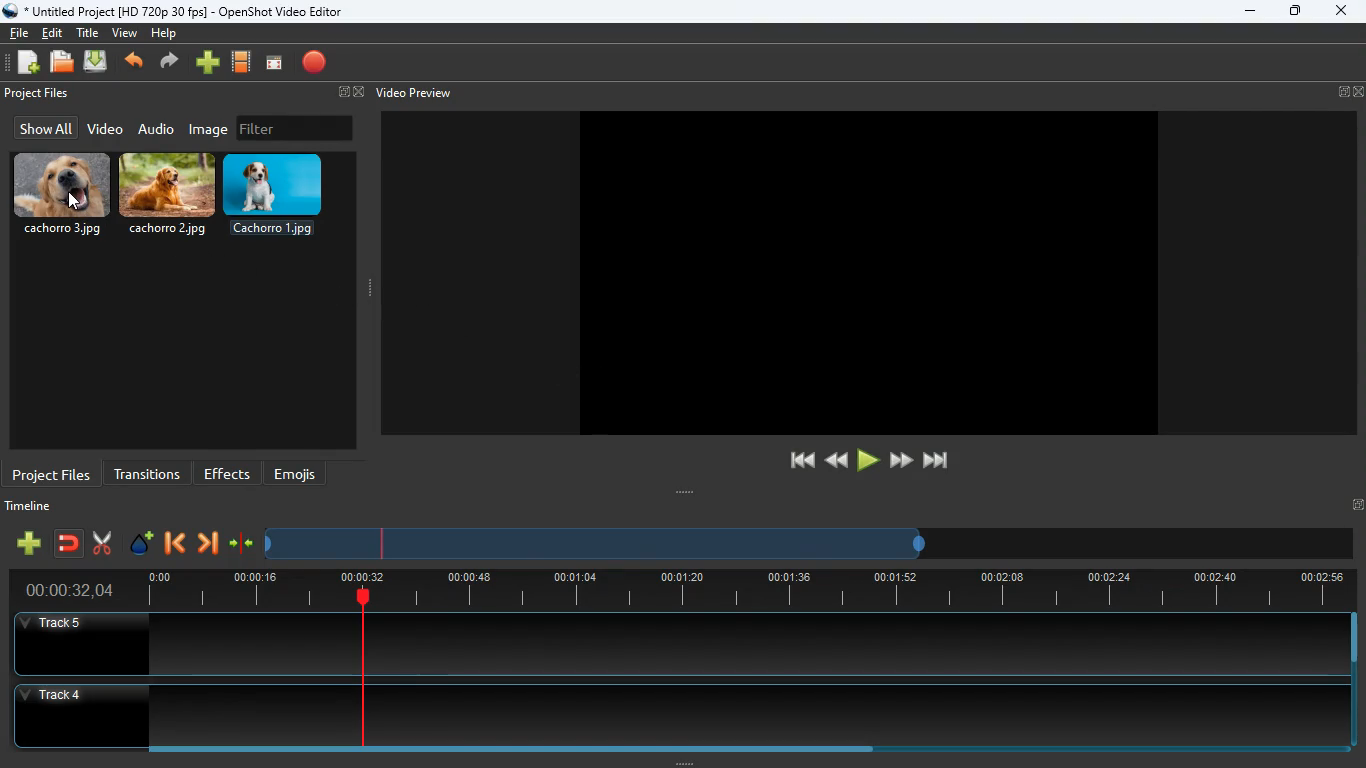 This screenshot has height=768, width=1366. What do you see at coordinates (242, 544) in the screenshot?
I see `compress` at bounding box center [242, 544].